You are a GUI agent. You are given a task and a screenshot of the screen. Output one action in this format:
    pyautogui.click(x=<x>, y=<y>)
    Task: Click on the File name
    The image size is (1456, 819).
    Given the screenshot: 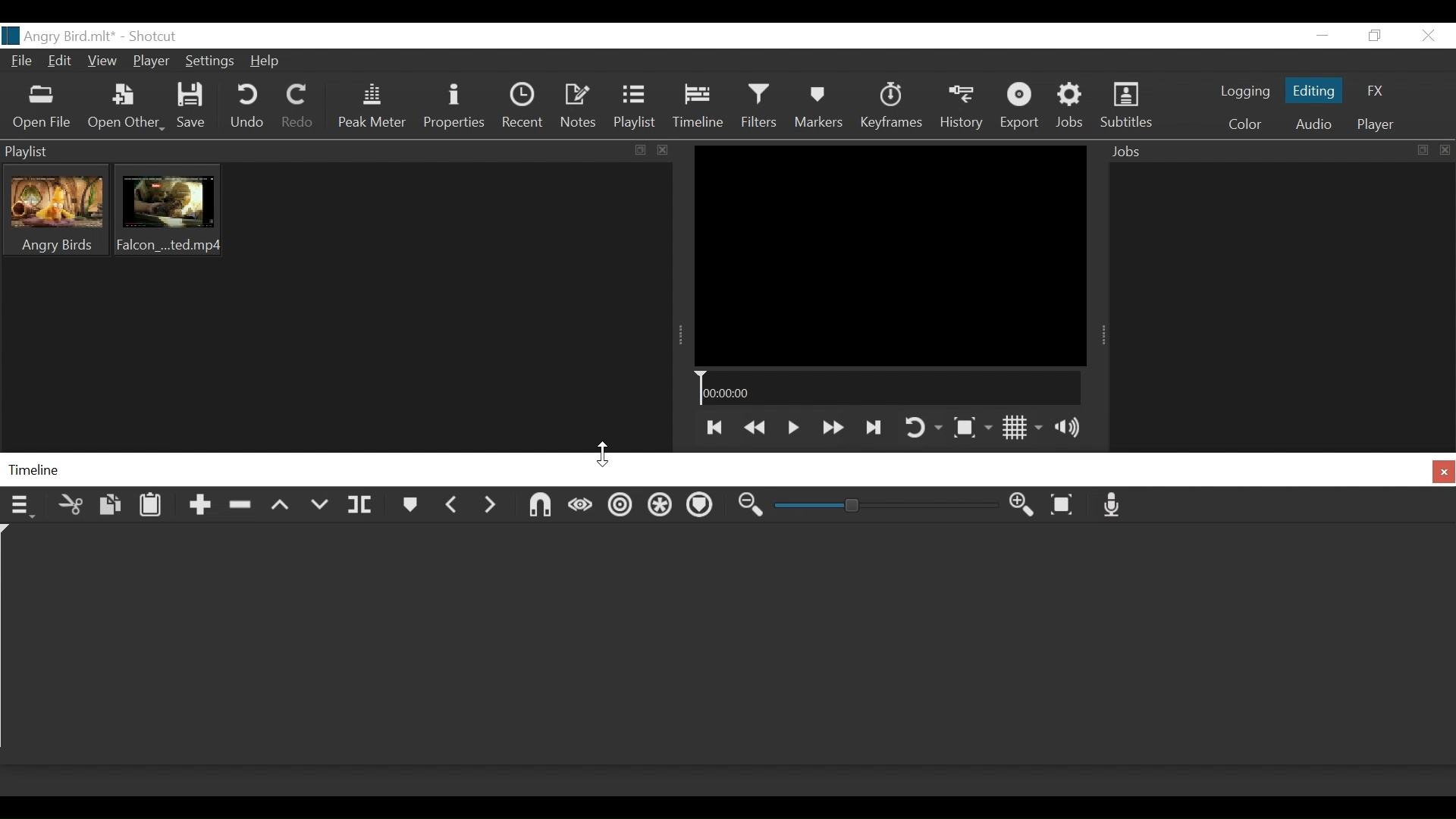 What is the action you would take?
    pyautogui.click(x=58, y=36)
    